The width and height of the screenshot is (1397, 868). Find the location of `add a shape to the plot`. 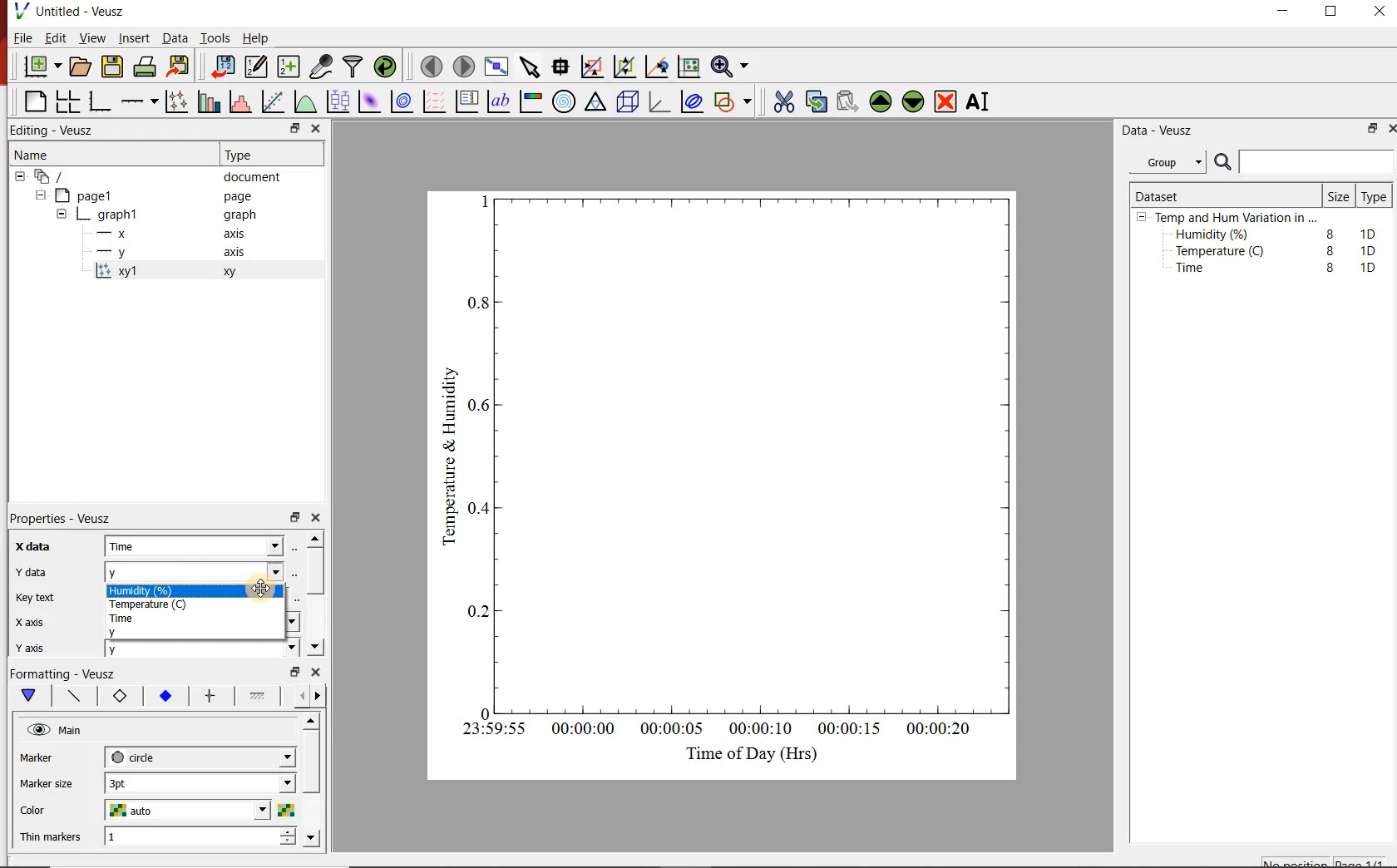

add a shape to the plot is located at coordinates (737, 104).